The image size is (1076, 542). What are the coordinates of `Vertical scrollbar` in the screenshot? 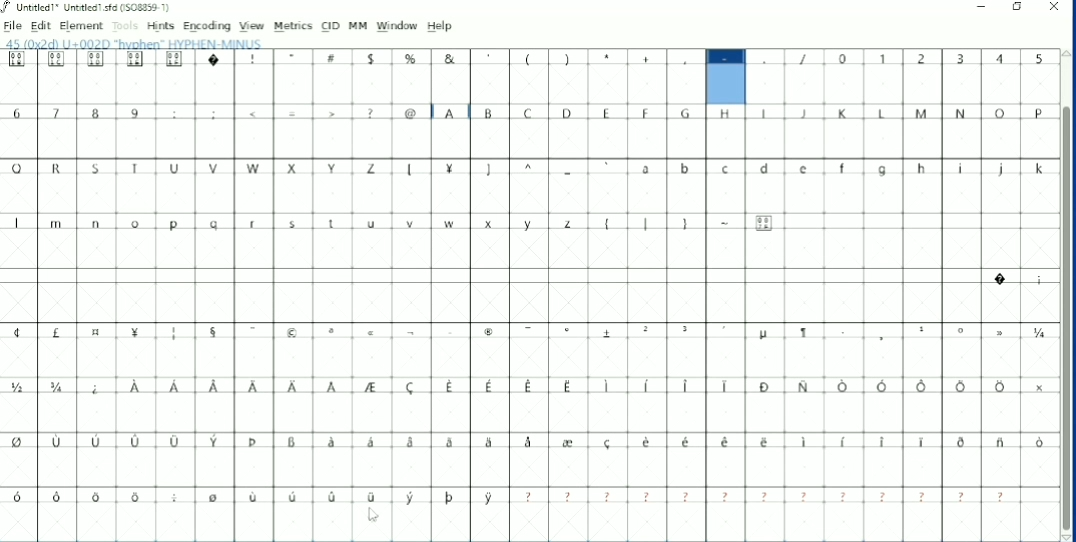 It's located at (1065, 321).